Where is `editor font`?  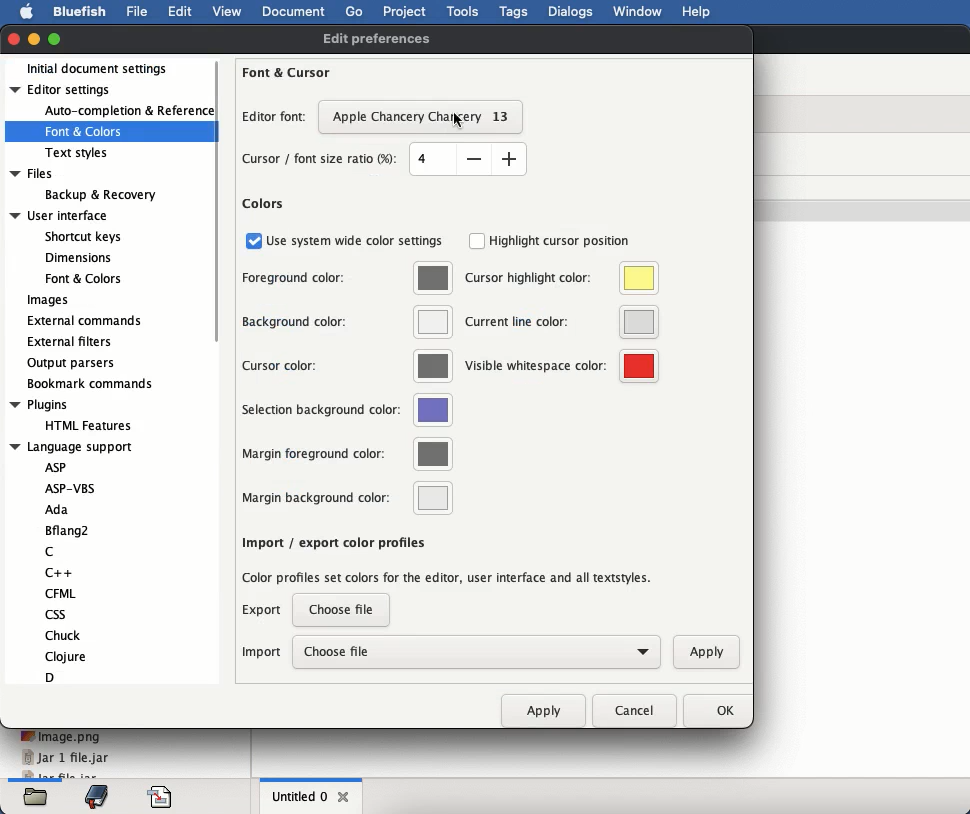 editor font is located at coordinates (276, 119).